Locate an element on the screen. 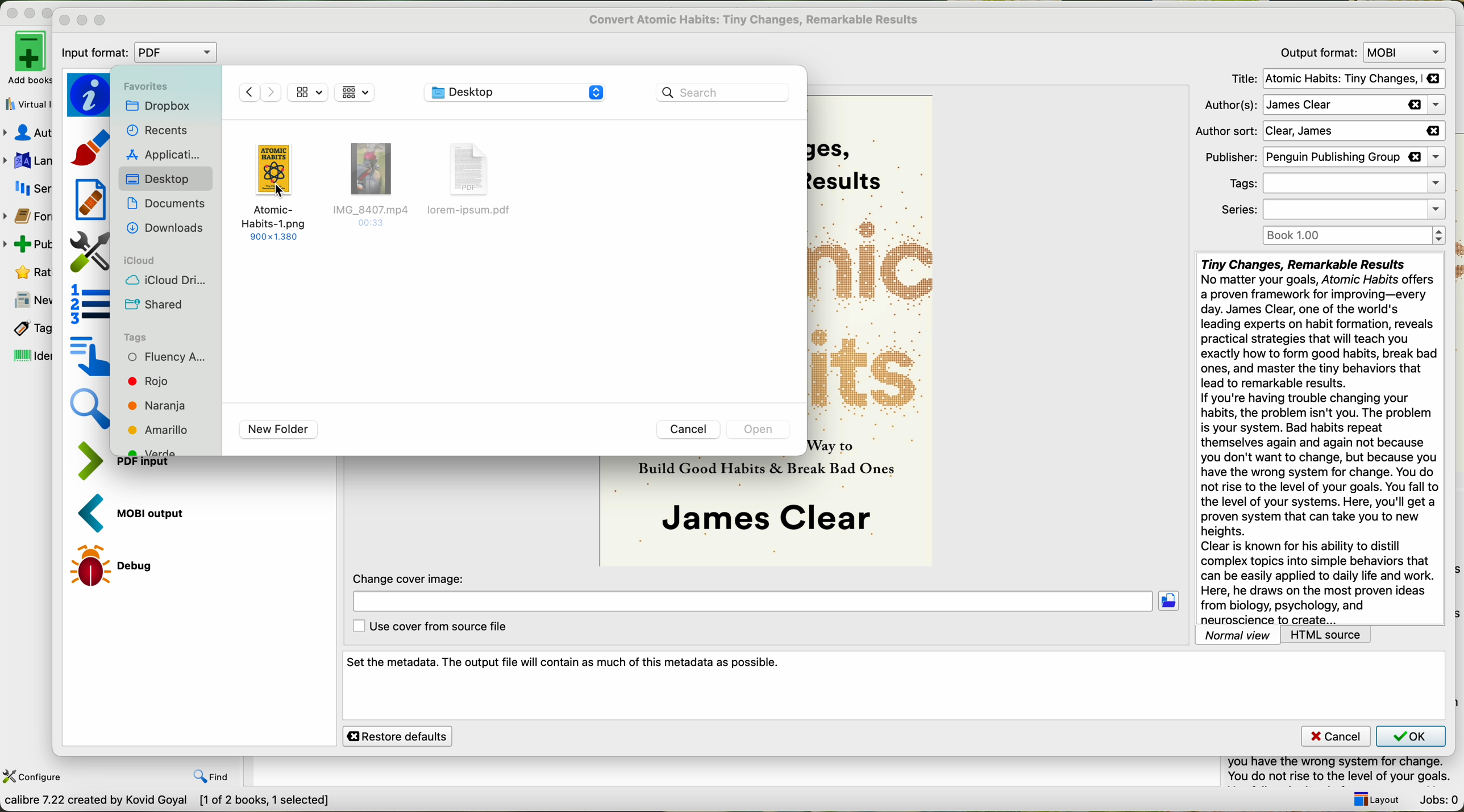  tags is located at coordinates (1334, 184).